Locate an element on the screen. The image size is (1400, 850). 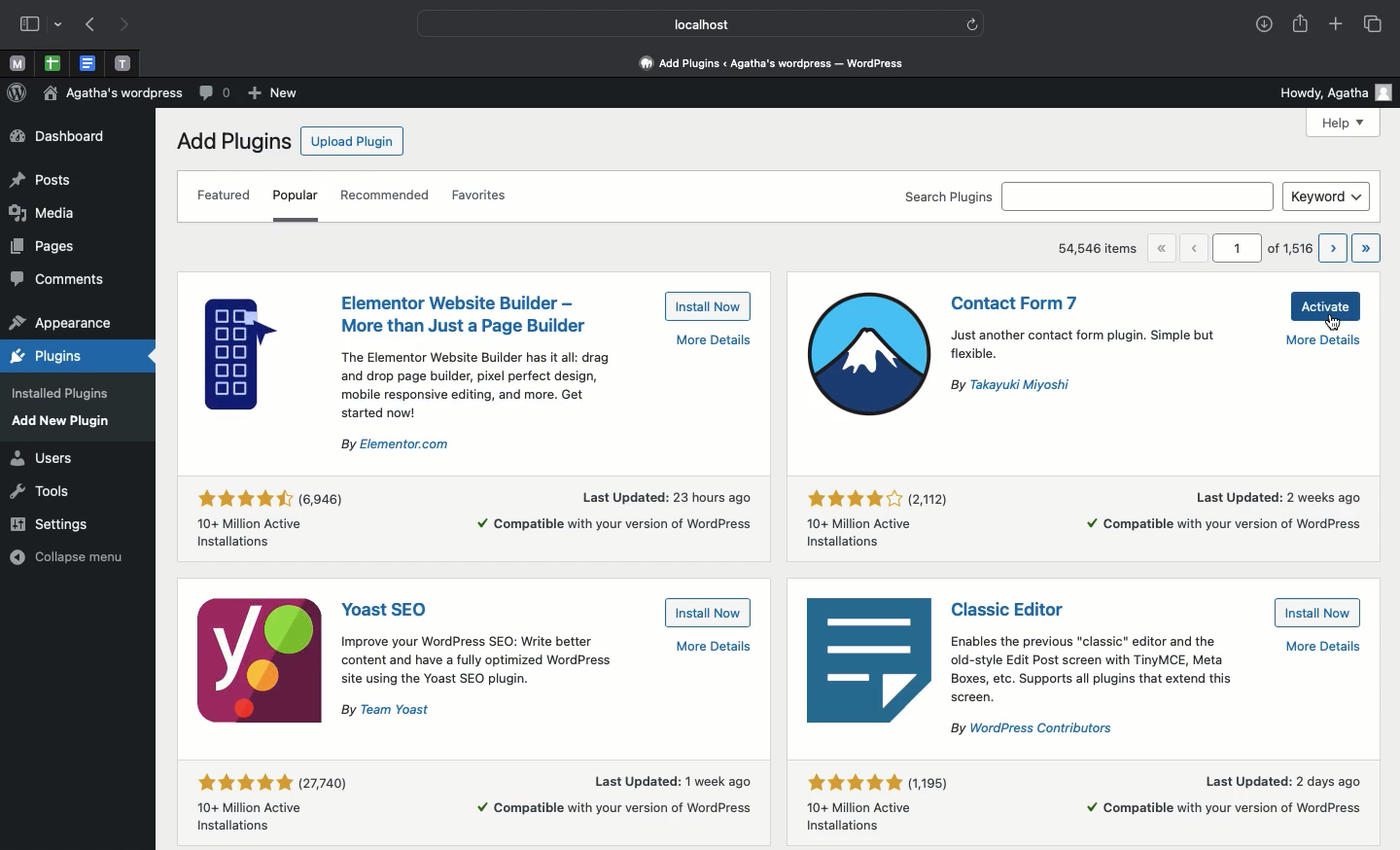
users is located at coordinates (44, 459).